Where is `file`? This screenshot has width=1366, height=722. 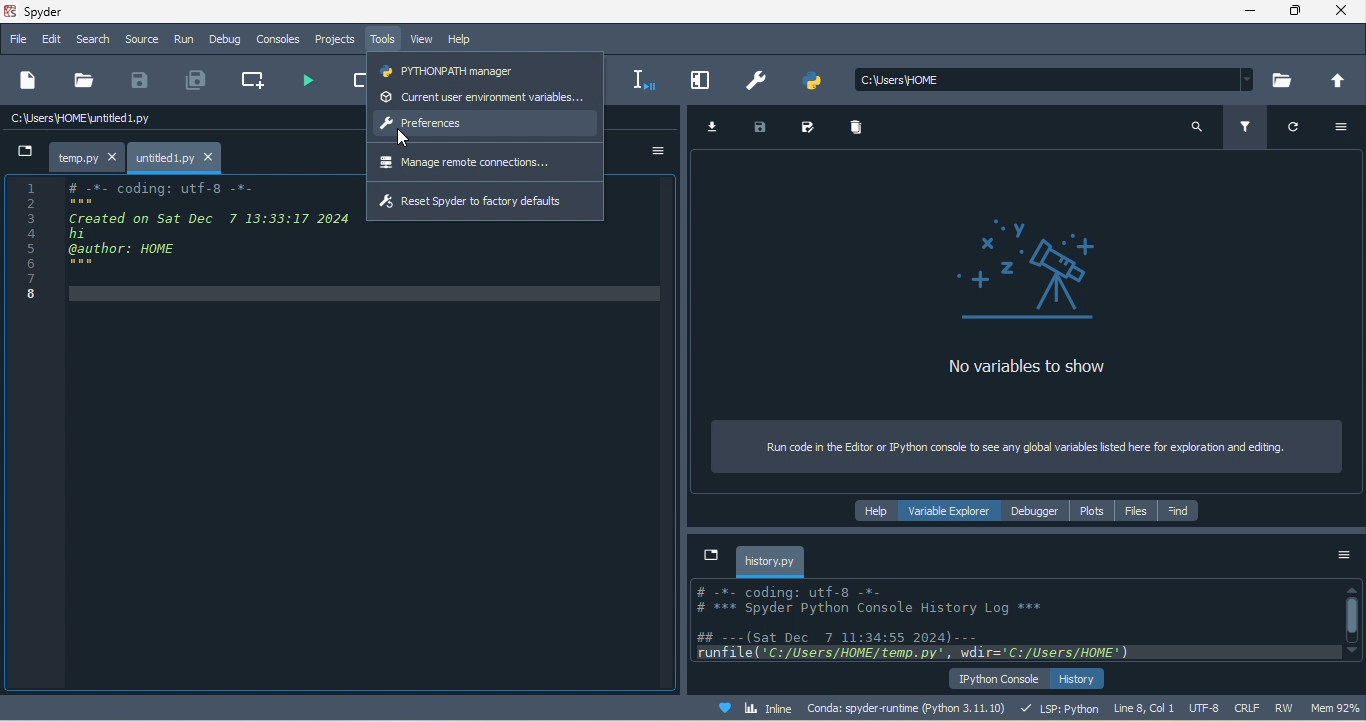 file is located at coordinates (17, 39).